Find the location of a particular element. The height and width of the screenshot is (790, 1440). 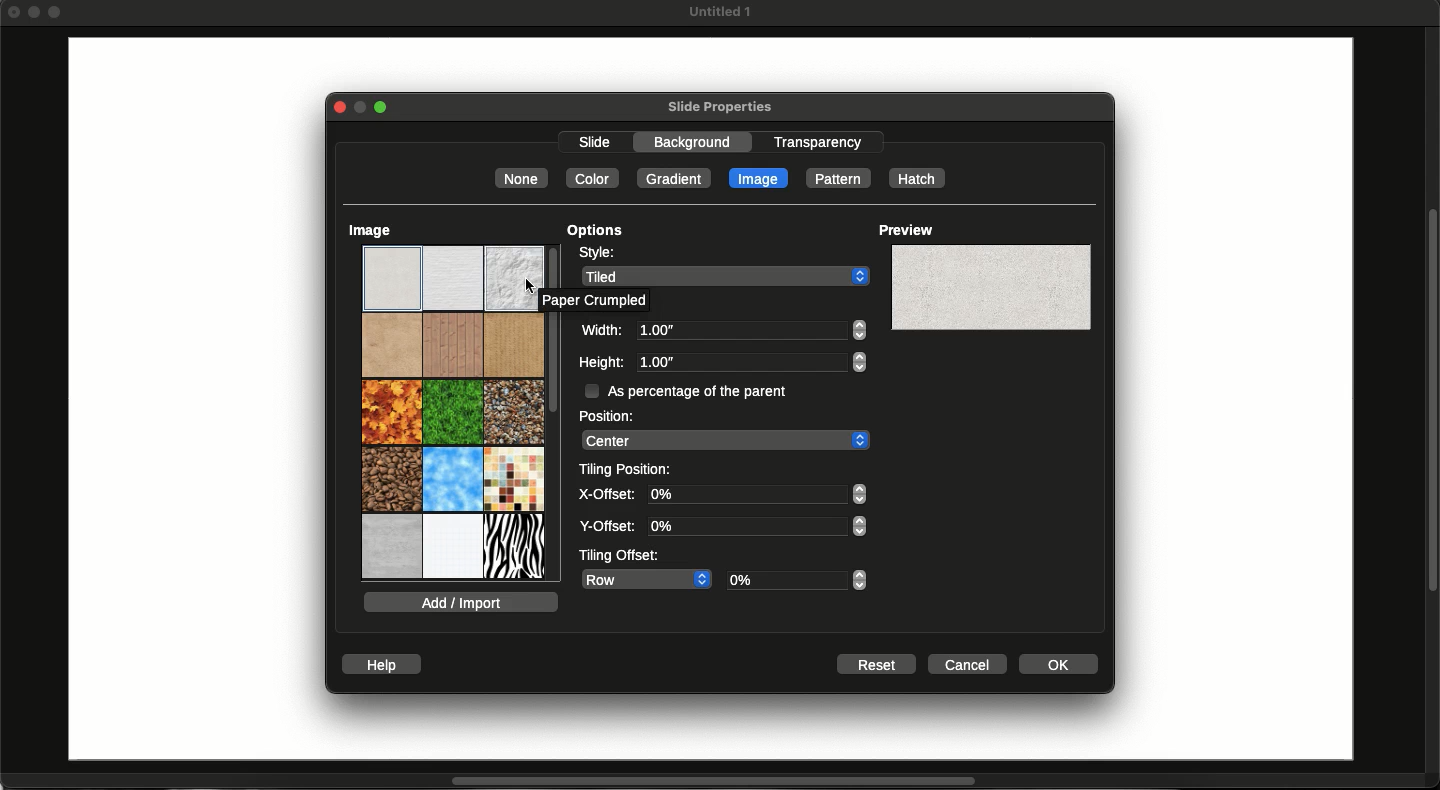

cursor is located at coordinates (525, 284).